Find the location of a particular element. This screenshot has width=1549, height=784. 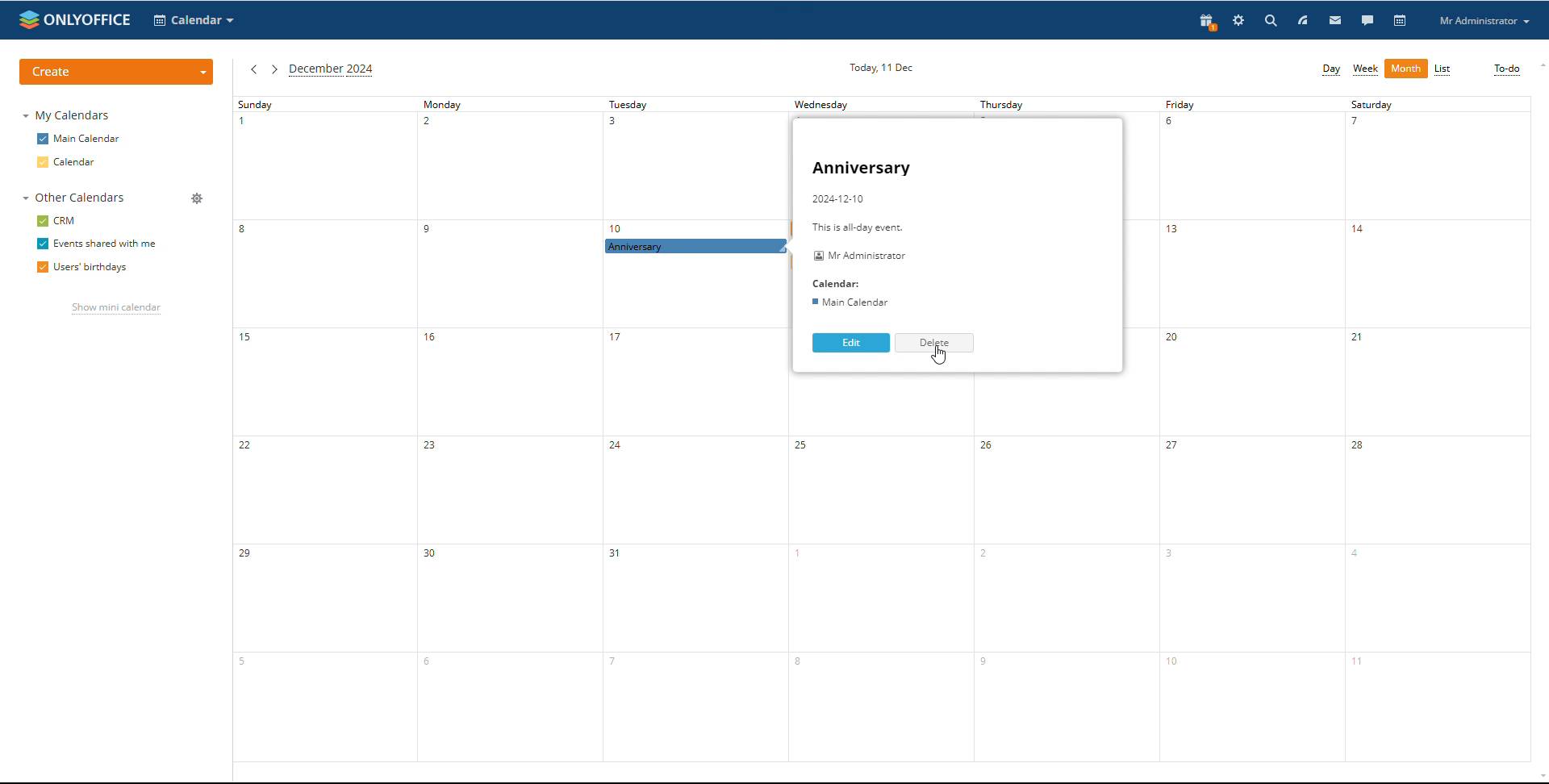

cursor is located at coordinates (658, 255).